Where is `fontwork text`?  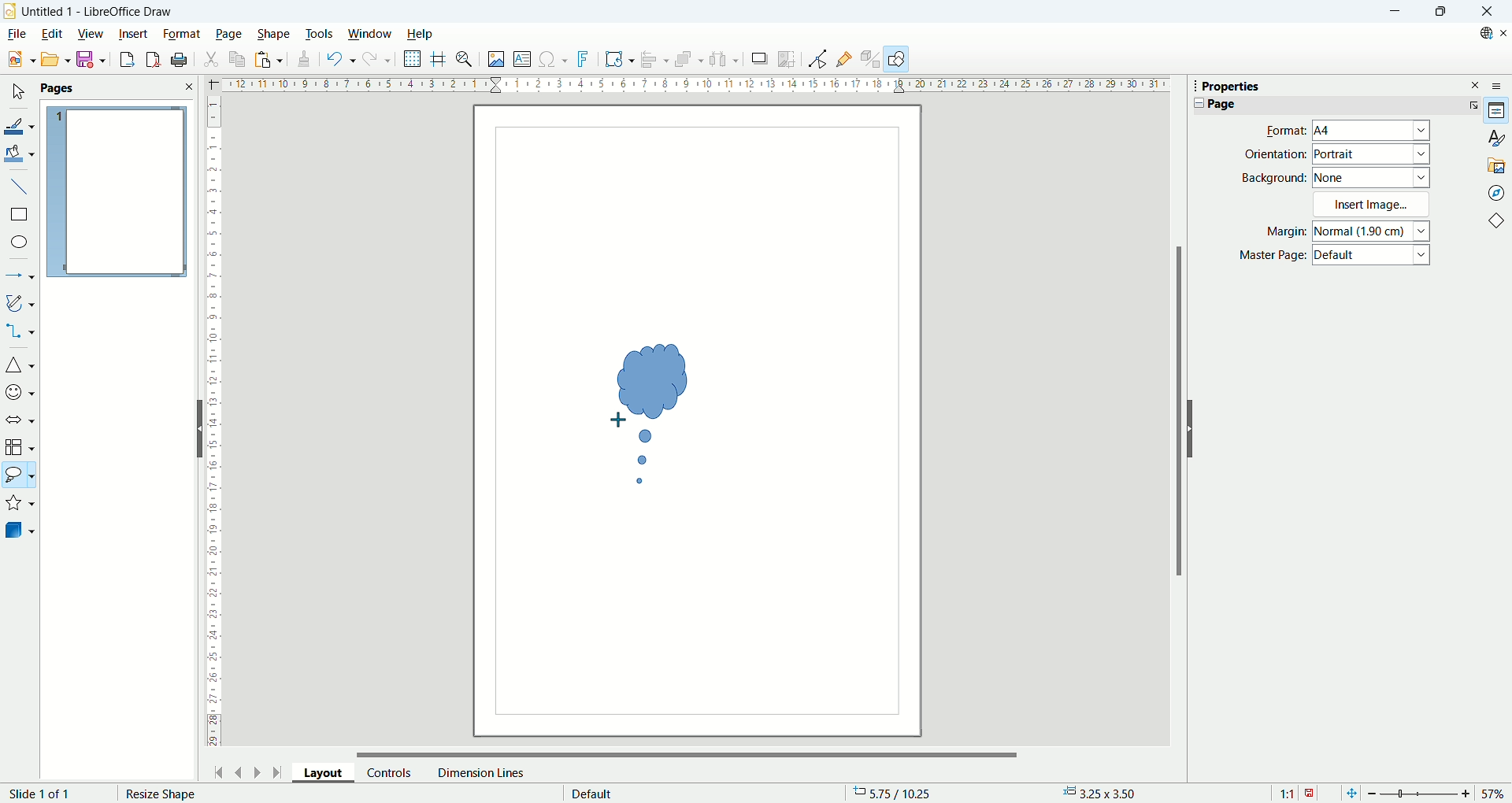 fontwork text is located at coordinates (585, 60).